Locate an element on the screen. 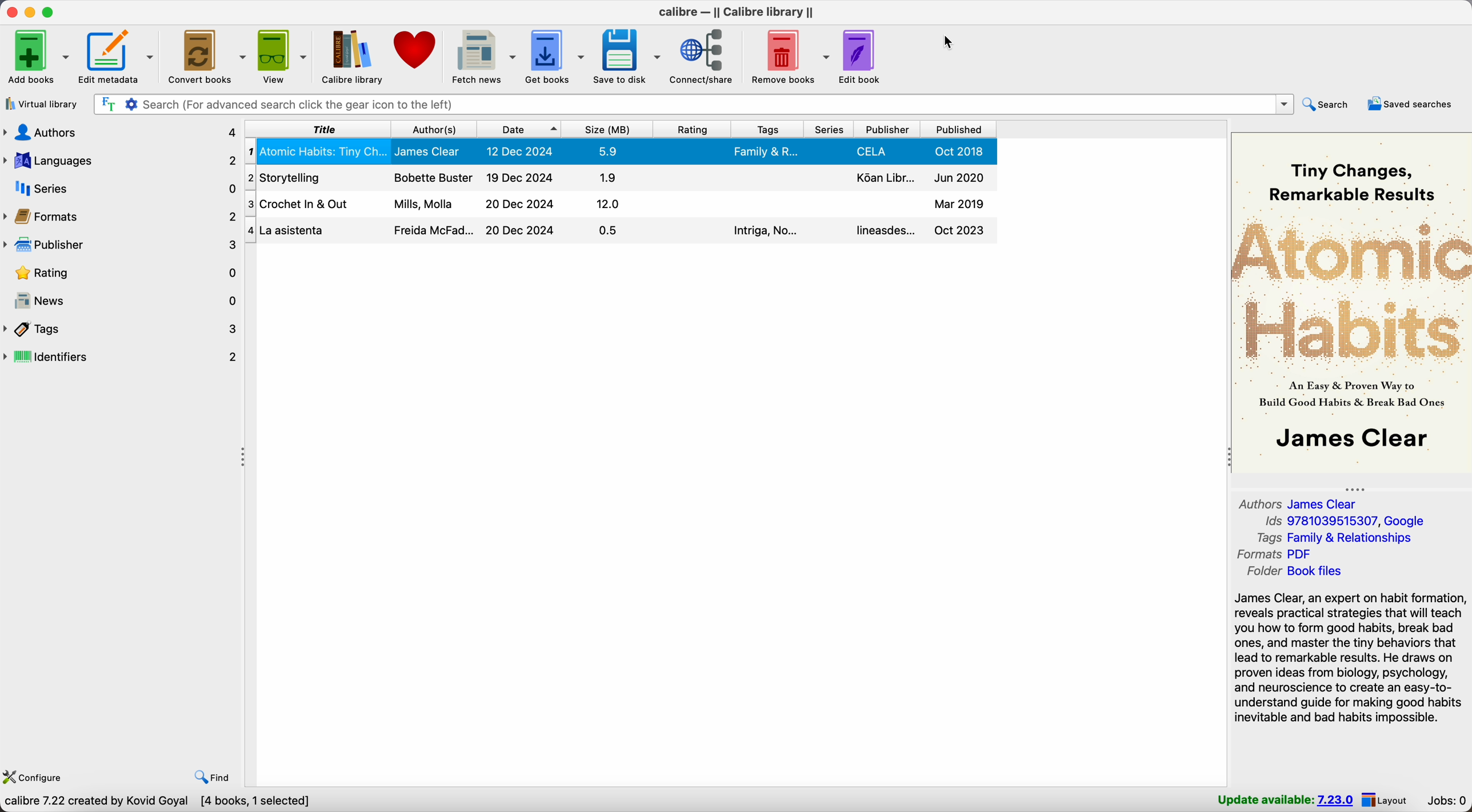  formats is located at coordinates (1275, 554).